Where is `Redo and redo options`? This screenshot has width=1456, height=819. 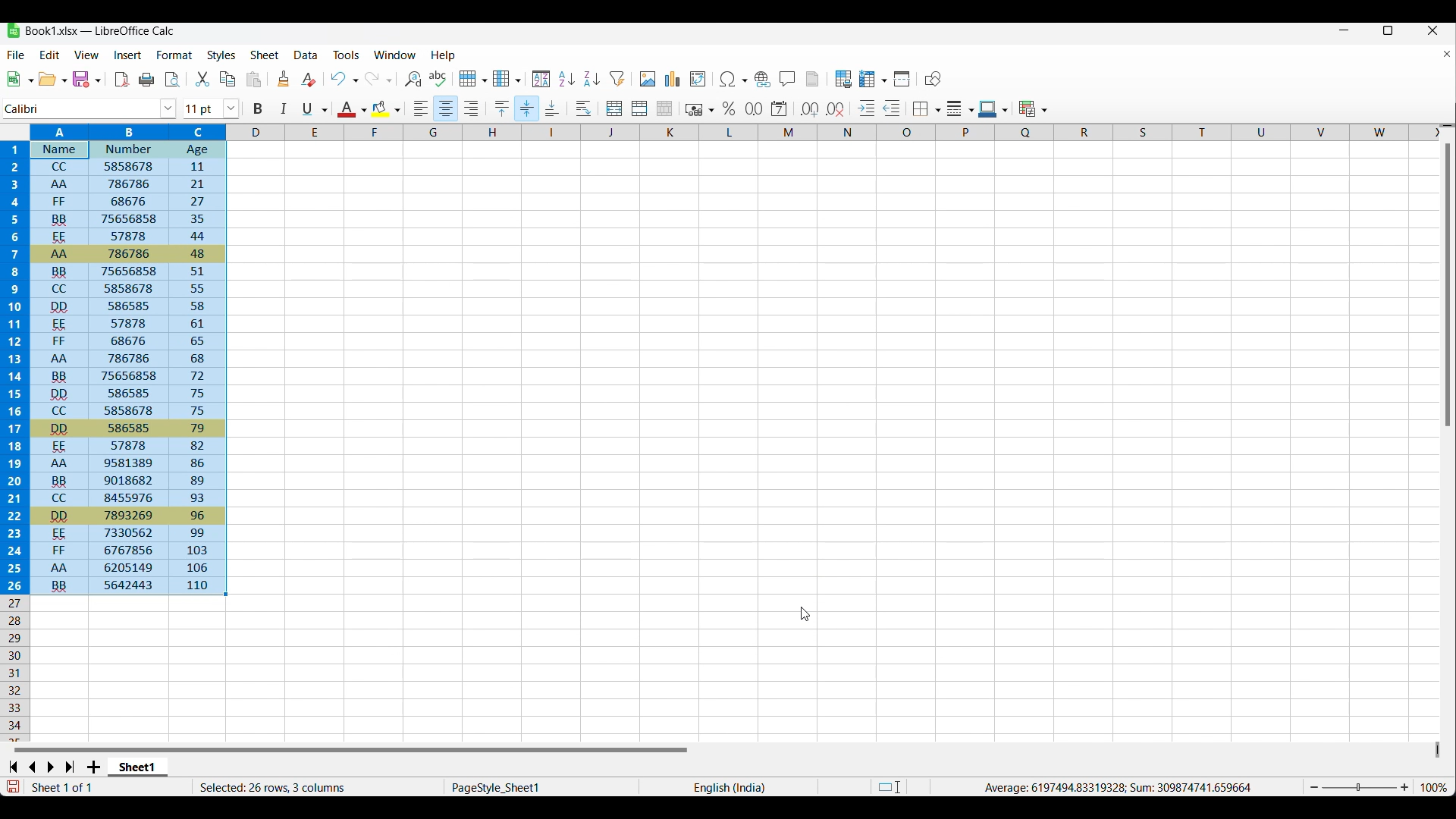
Redo and redo options is located at coordinates (379, 78).